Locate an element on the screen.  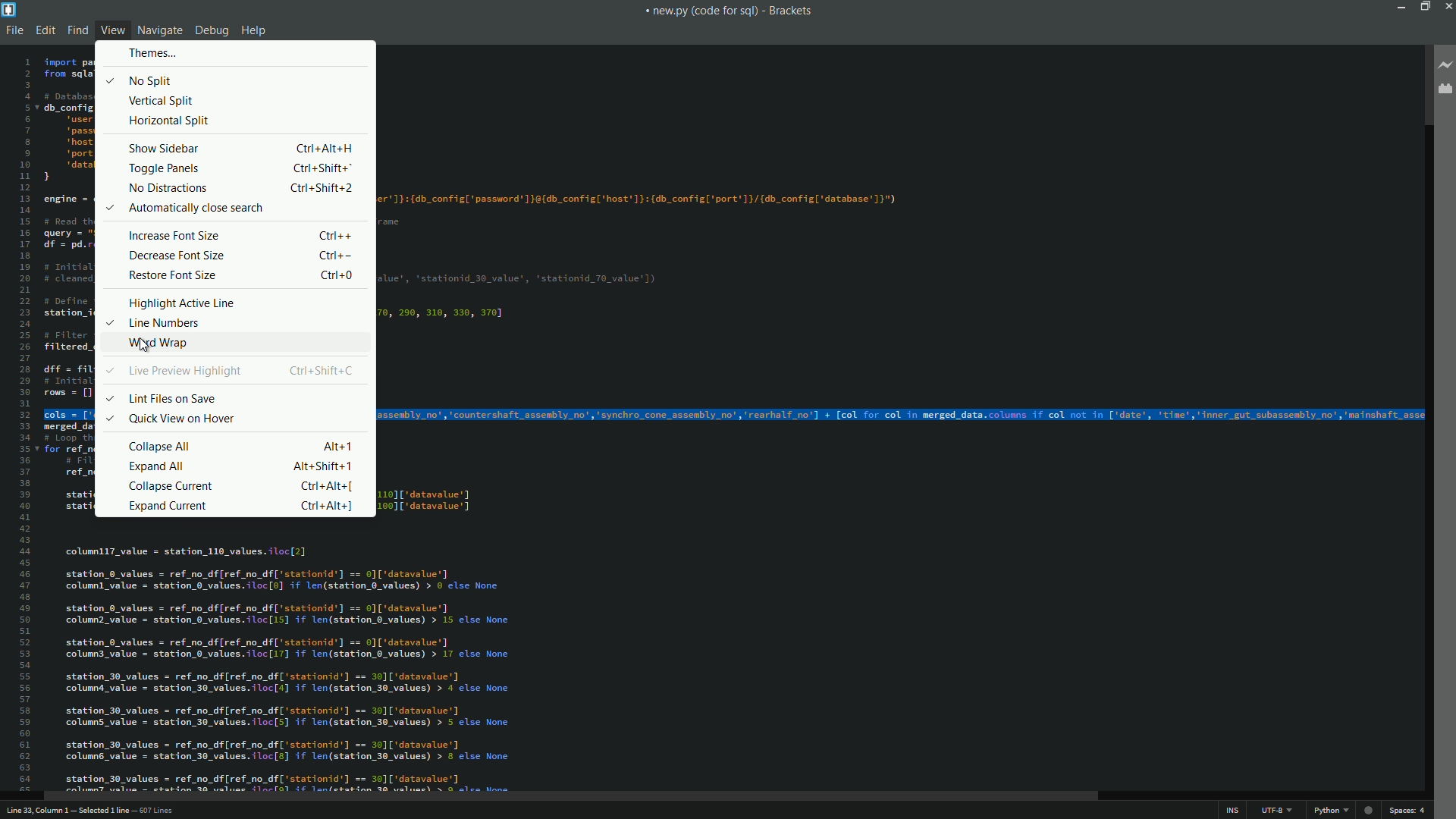
keyboard shortcut is located at coordinates (334, 236).